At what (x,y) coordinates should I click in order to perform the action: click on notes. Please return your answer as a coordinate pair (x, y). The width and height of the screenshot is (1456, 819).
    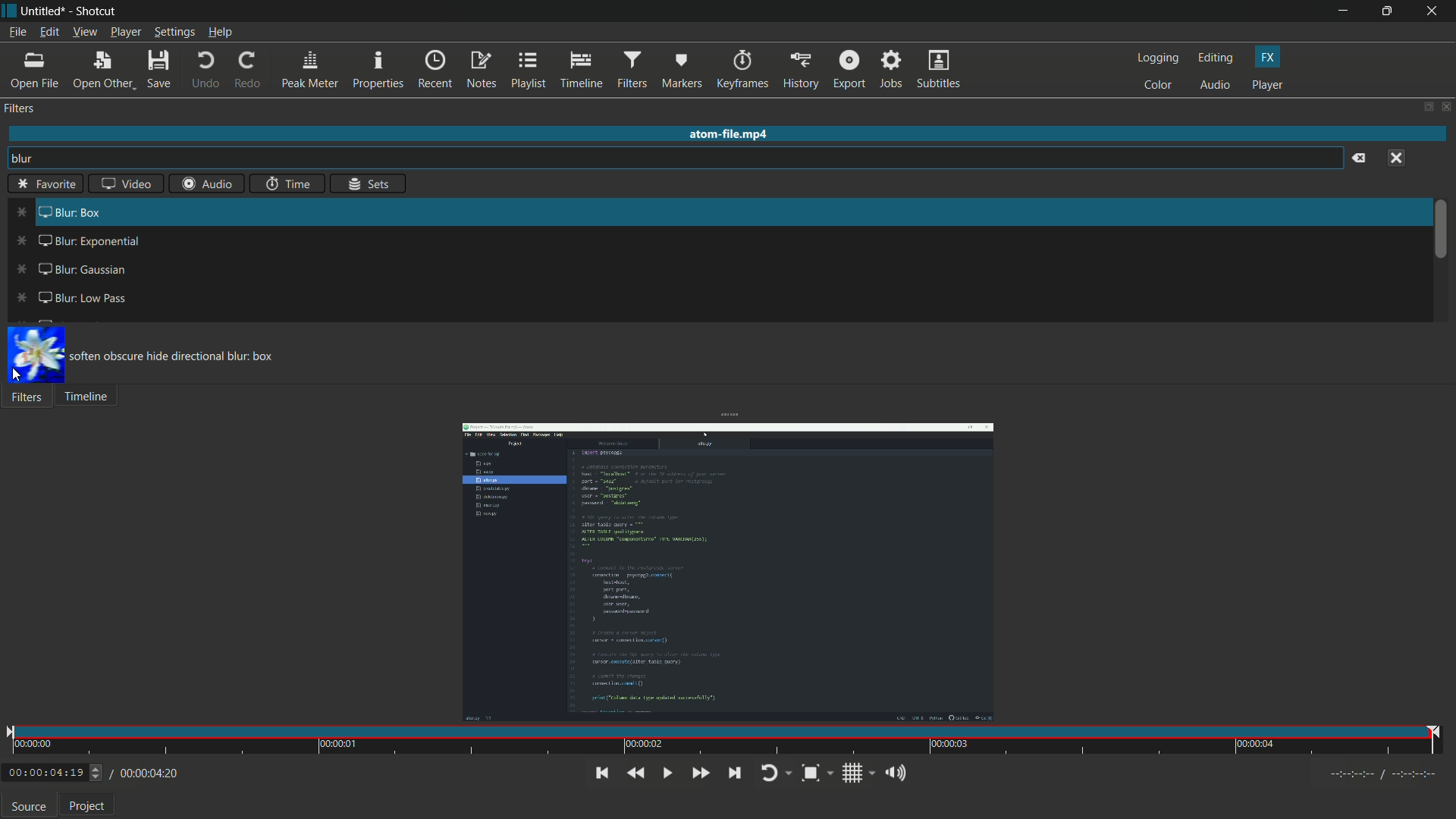
    Looking at the image, I should click on (482, 70).